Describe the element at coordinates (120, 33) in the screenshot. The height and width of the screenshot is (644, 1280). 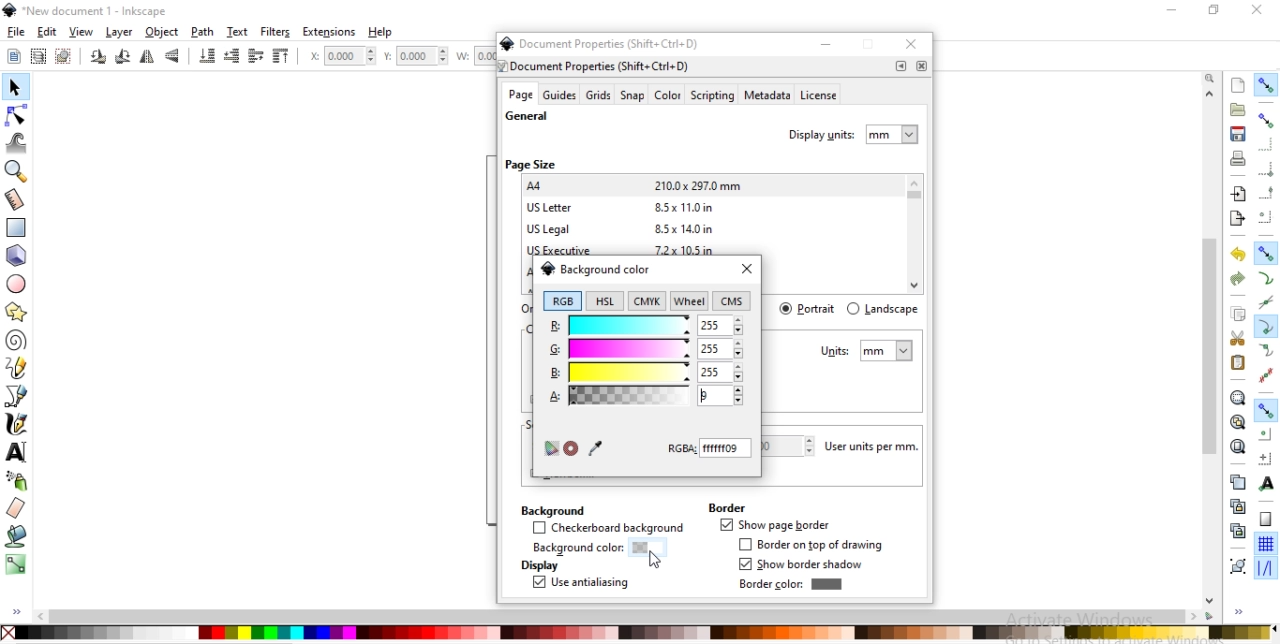
I see `layer` at that location.